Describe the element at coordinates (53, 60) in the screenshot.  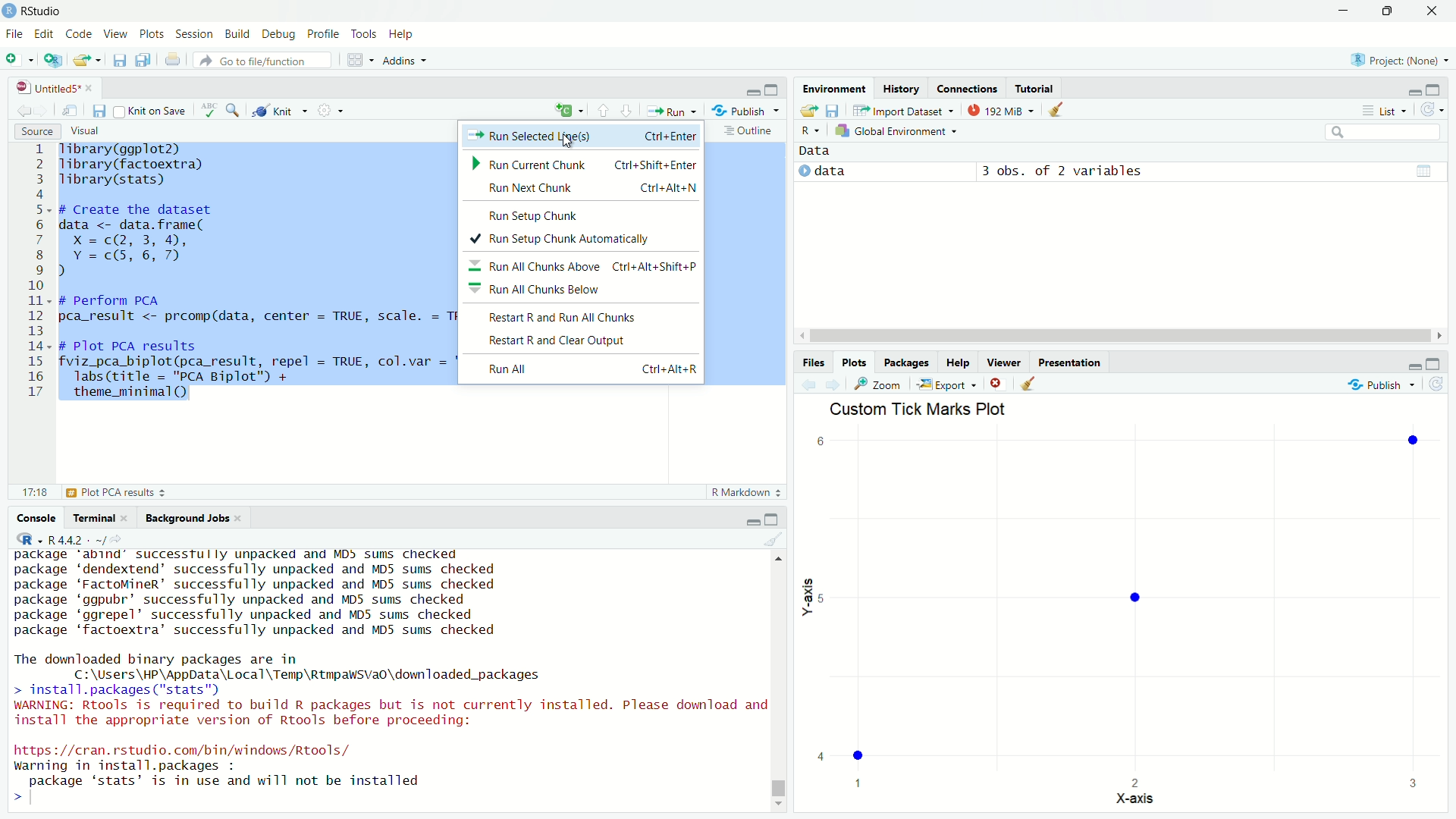
I see `Create a project` at that location.